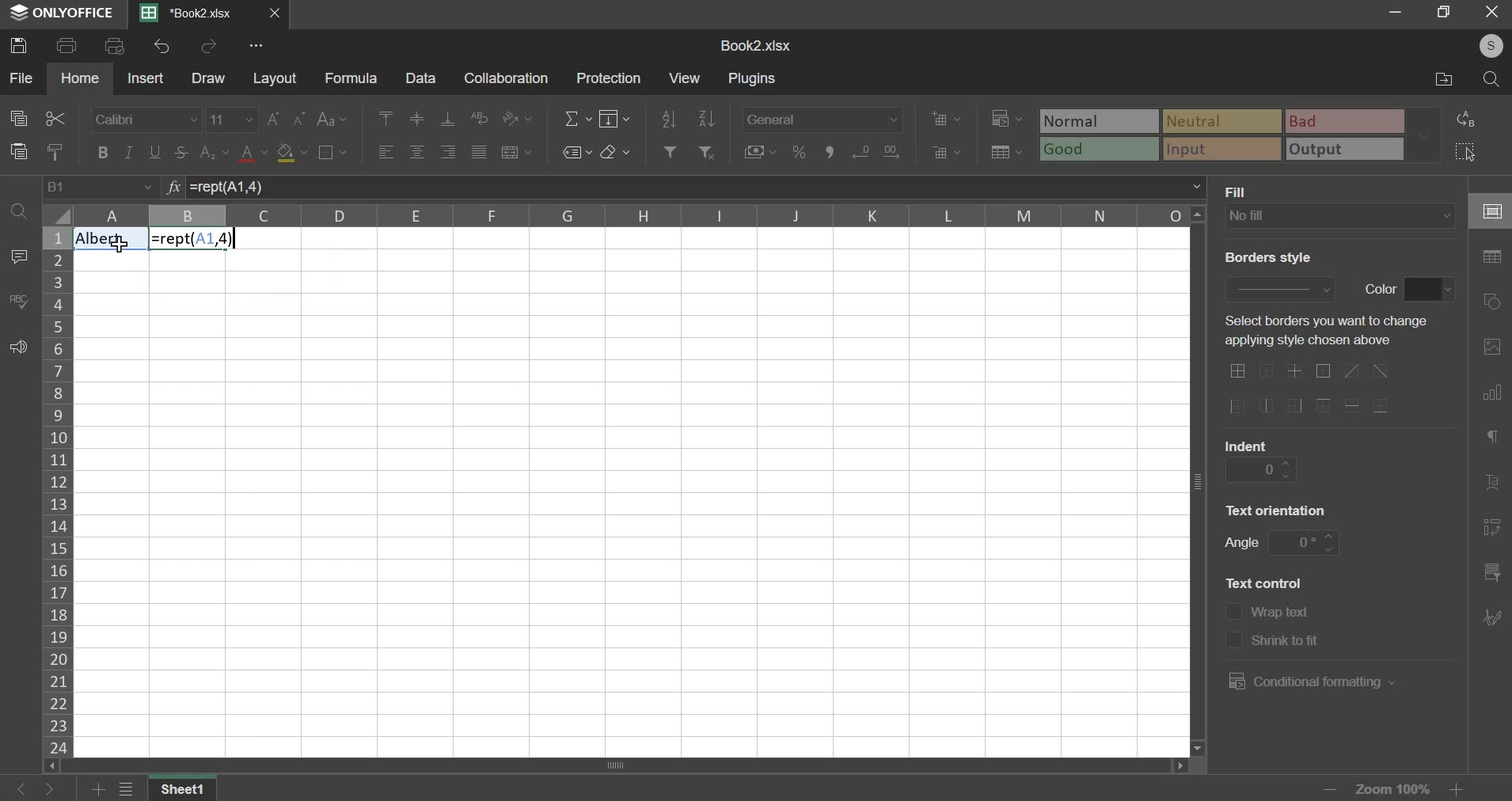  Describe the element at coordinates (332, 120) in the screenshot. I see `change case` at that location.